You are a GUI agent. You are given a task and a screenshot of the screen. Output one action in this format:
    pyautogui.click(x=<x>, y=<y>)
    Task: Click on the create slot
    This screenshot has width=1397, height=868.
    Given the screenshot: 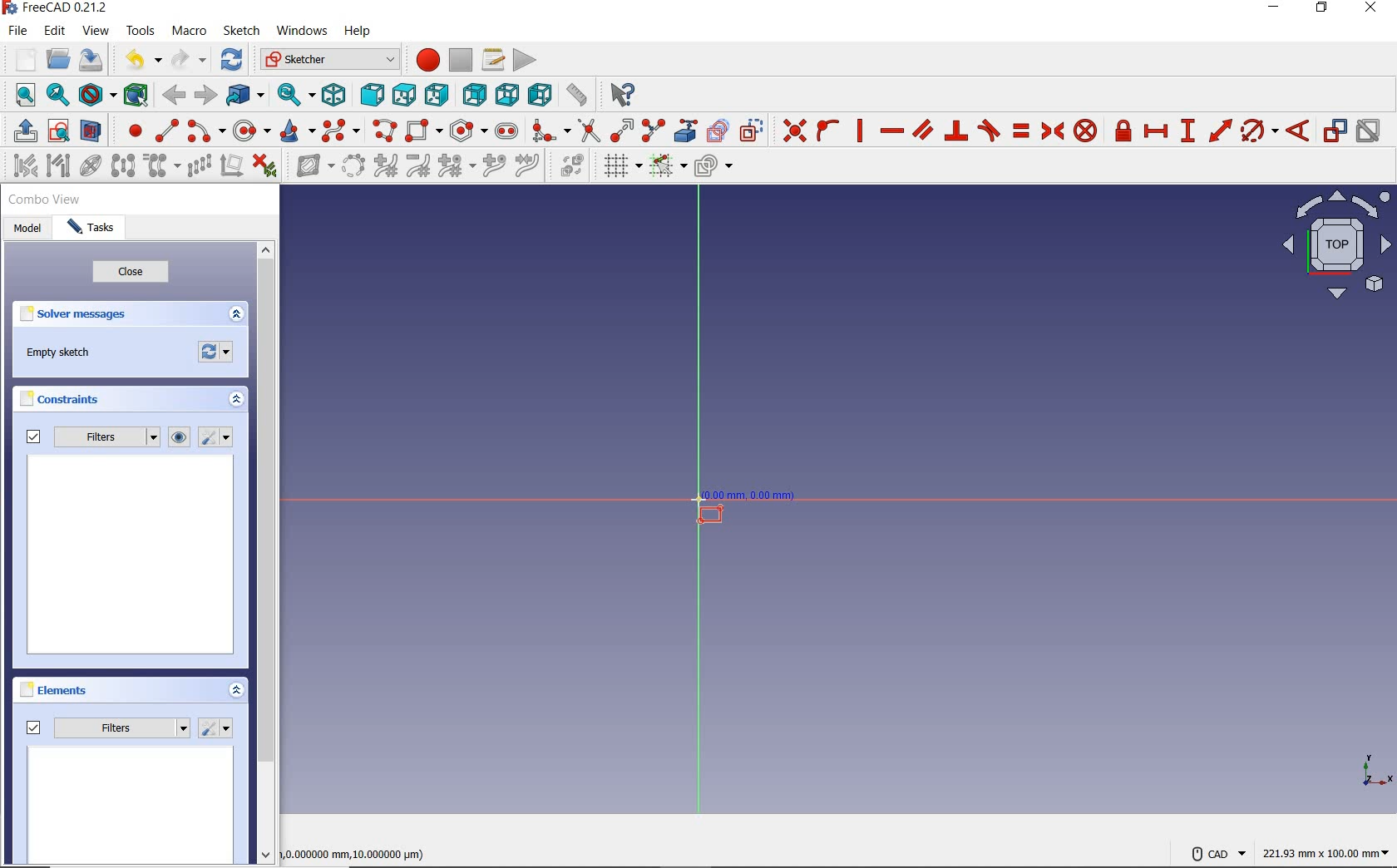 What is the action you would take?
    pyautogui.click(x=507, y=130)
    